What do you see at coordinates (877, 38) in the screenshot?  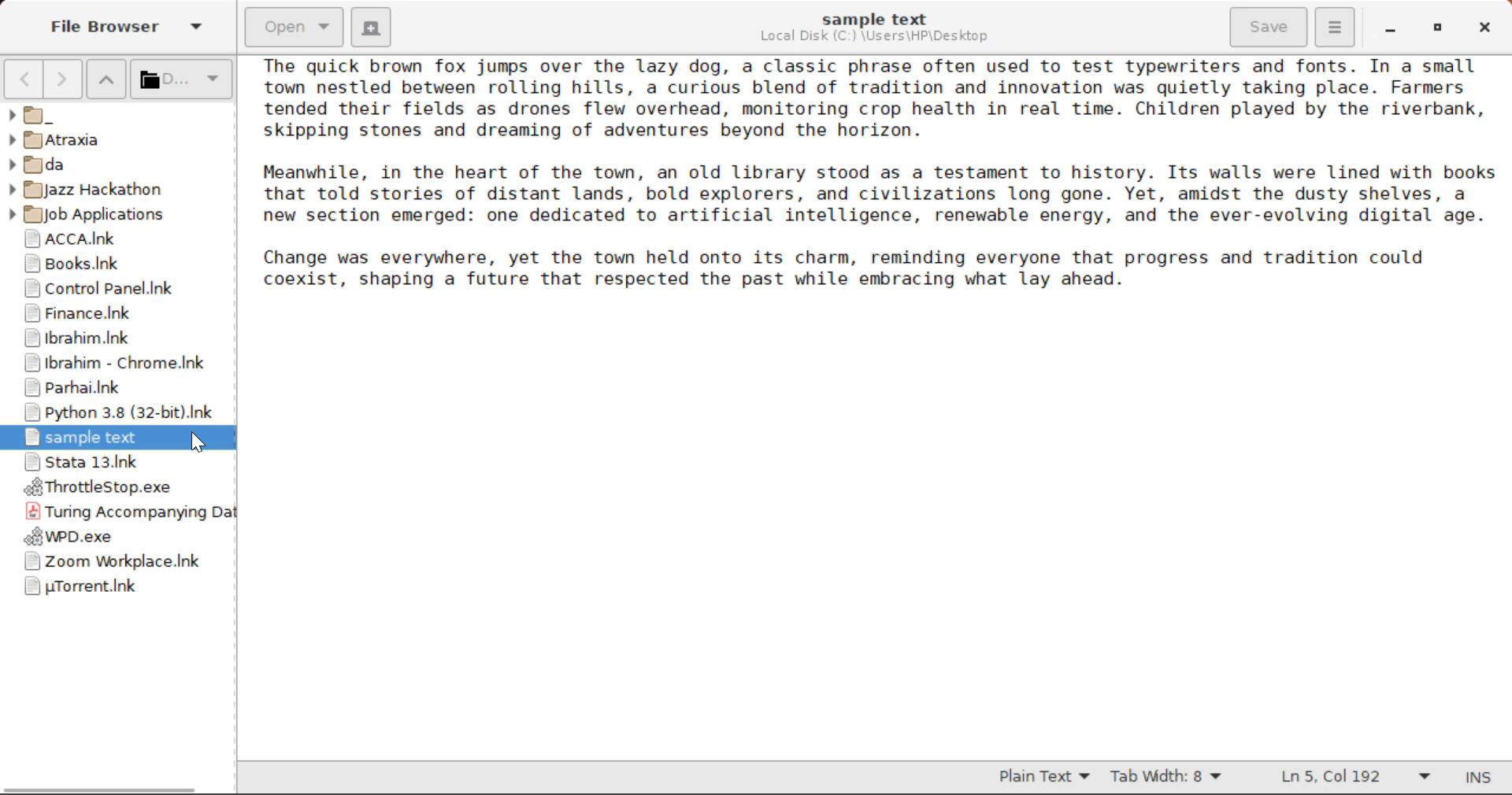 I see `File Location` at bounding box center [877, 38].